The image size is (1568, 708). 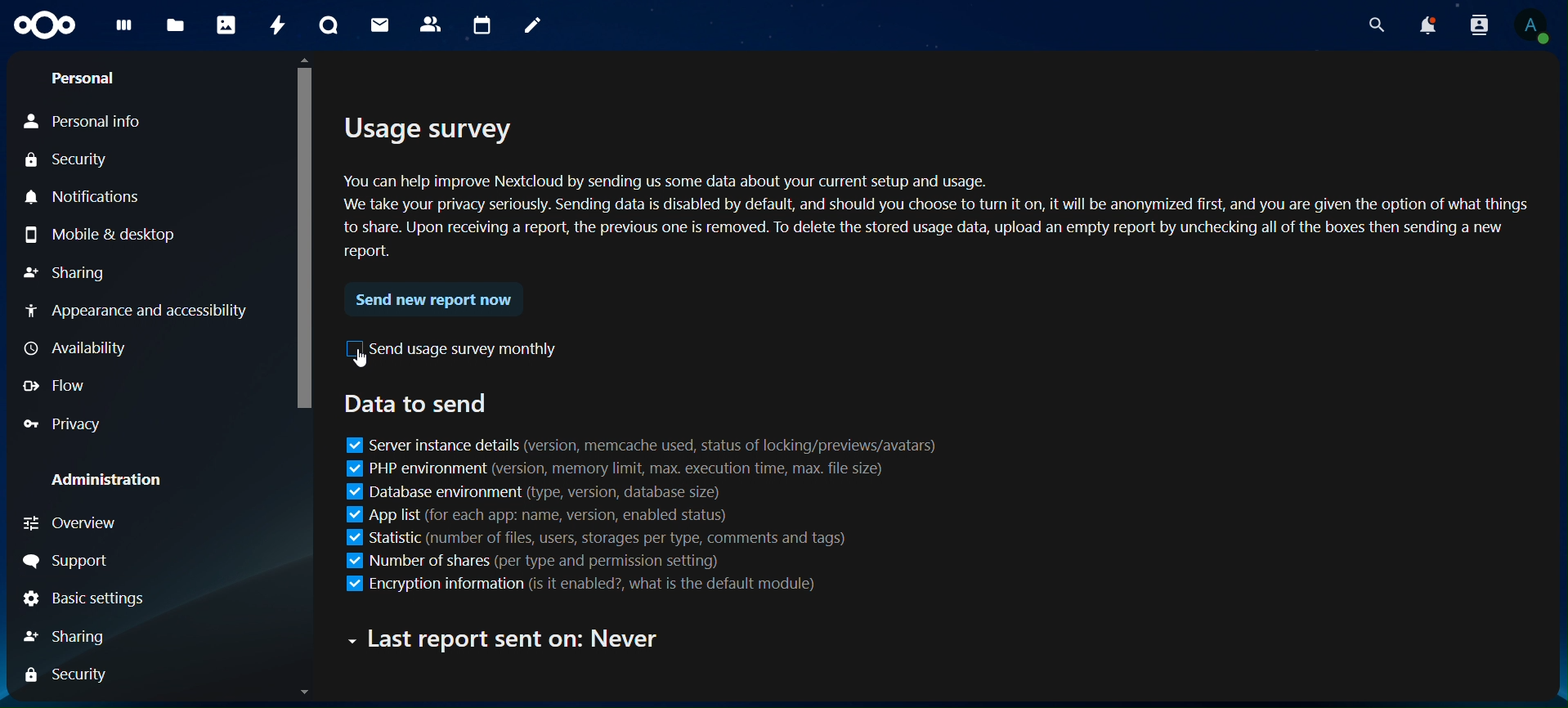 I want to click on contacts, so click(x=431, y=25).